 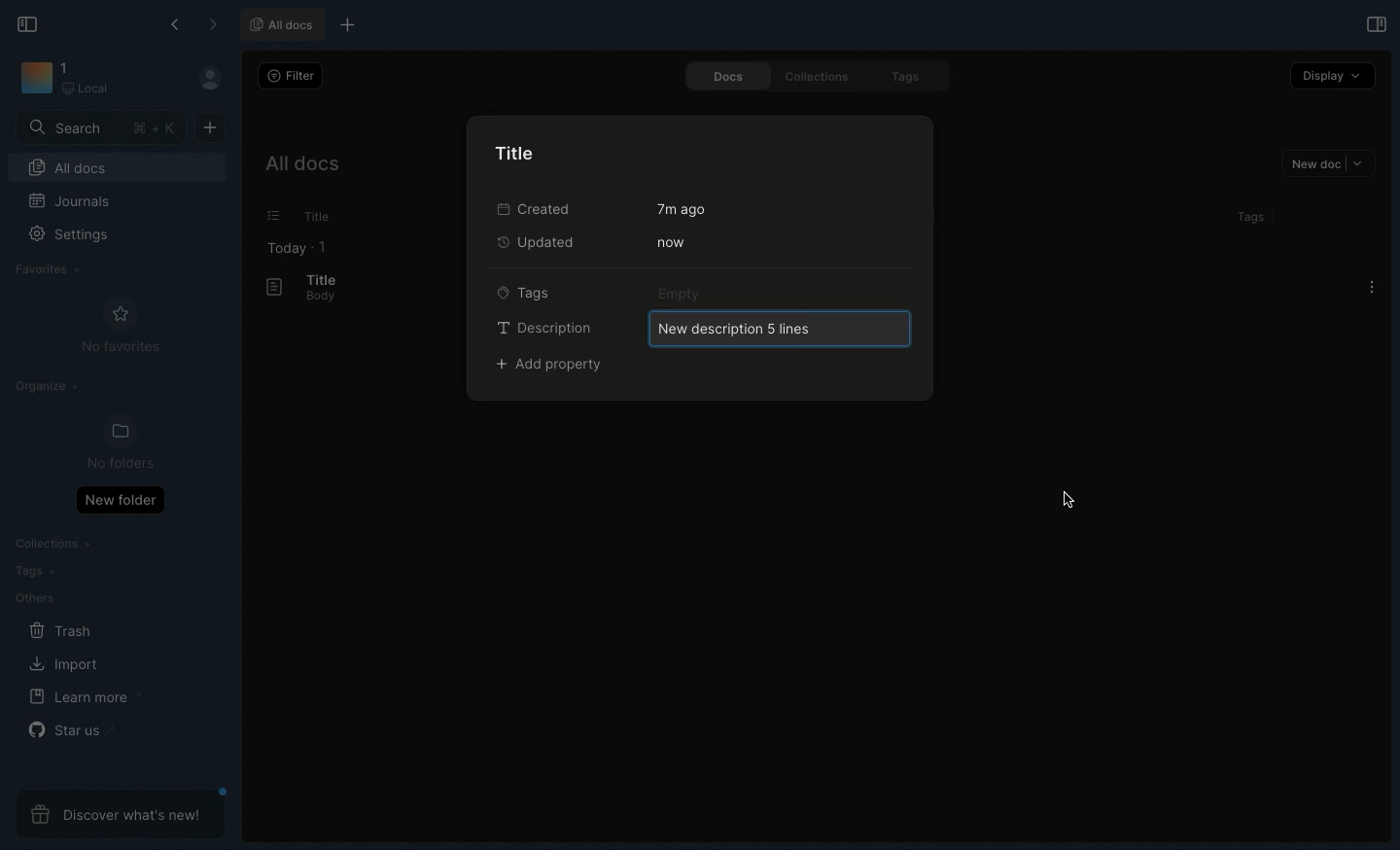 I want to click on Title, so click(x=319, y=279).